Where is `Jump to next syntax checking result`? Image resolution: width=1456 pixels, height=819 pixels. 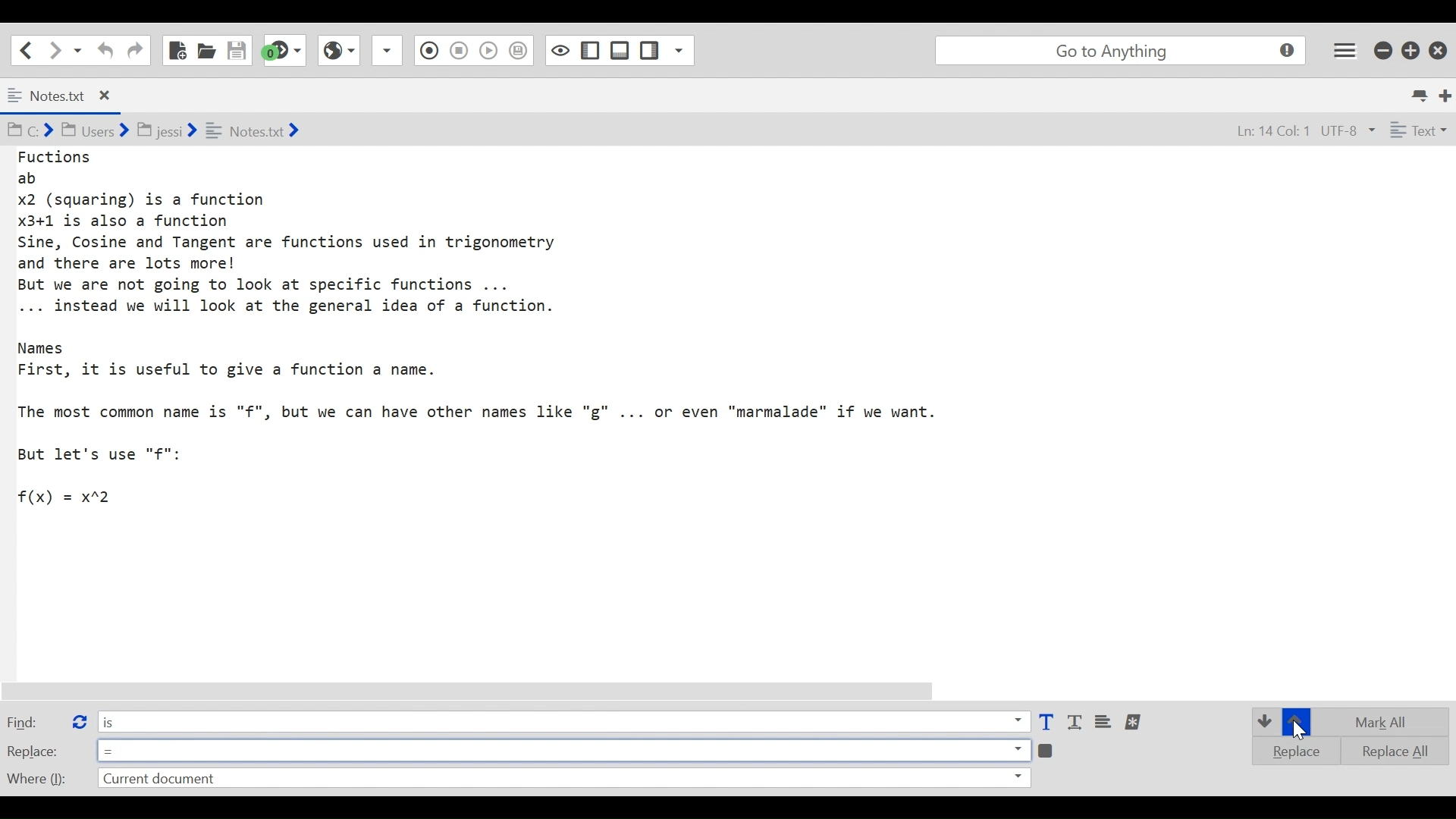 Jump to next syntax checking result is located at coordinates (284, 50).